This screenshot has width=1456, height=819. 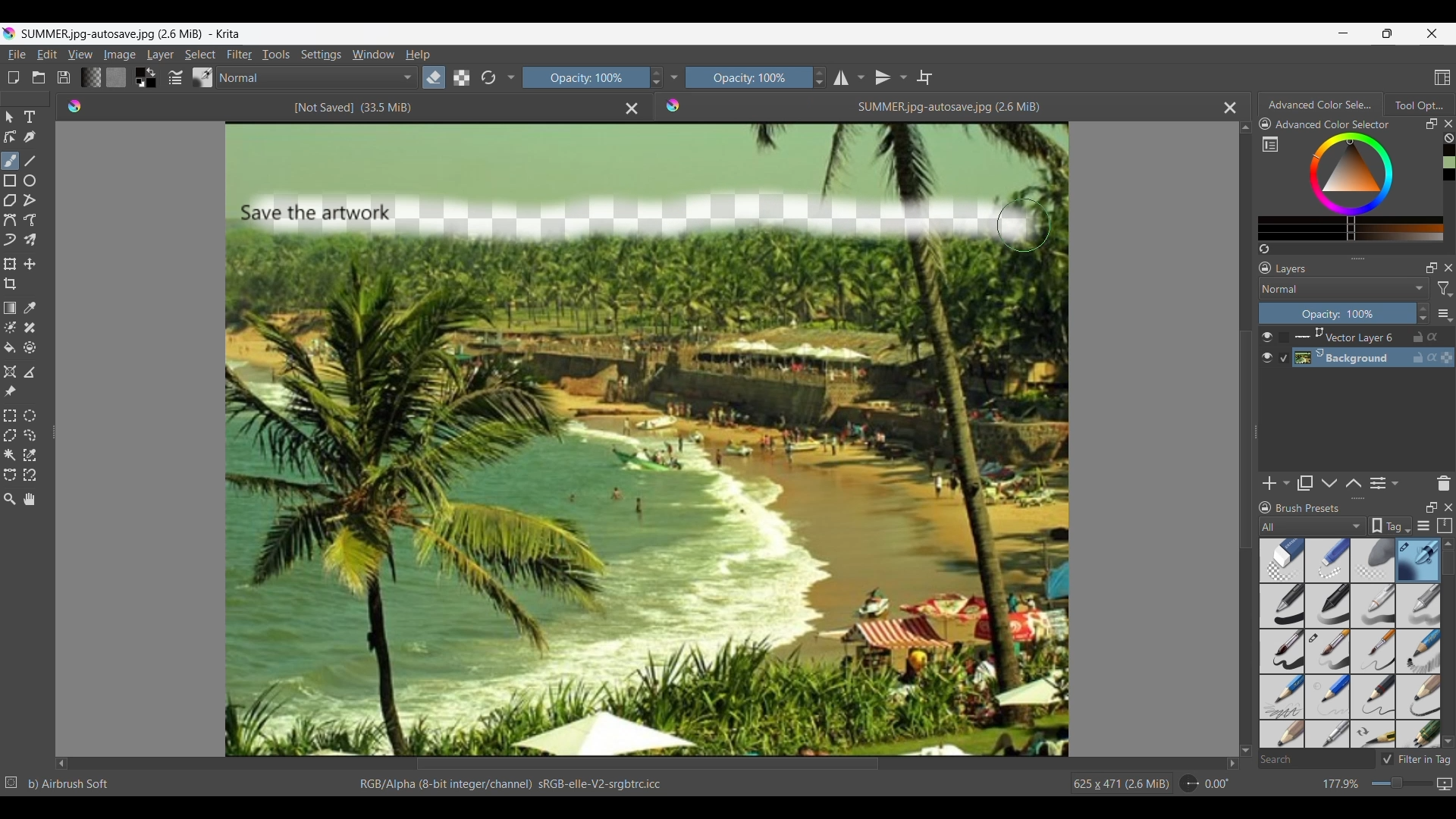 I want to click on Fill patterns, so click(x=116, y=77).